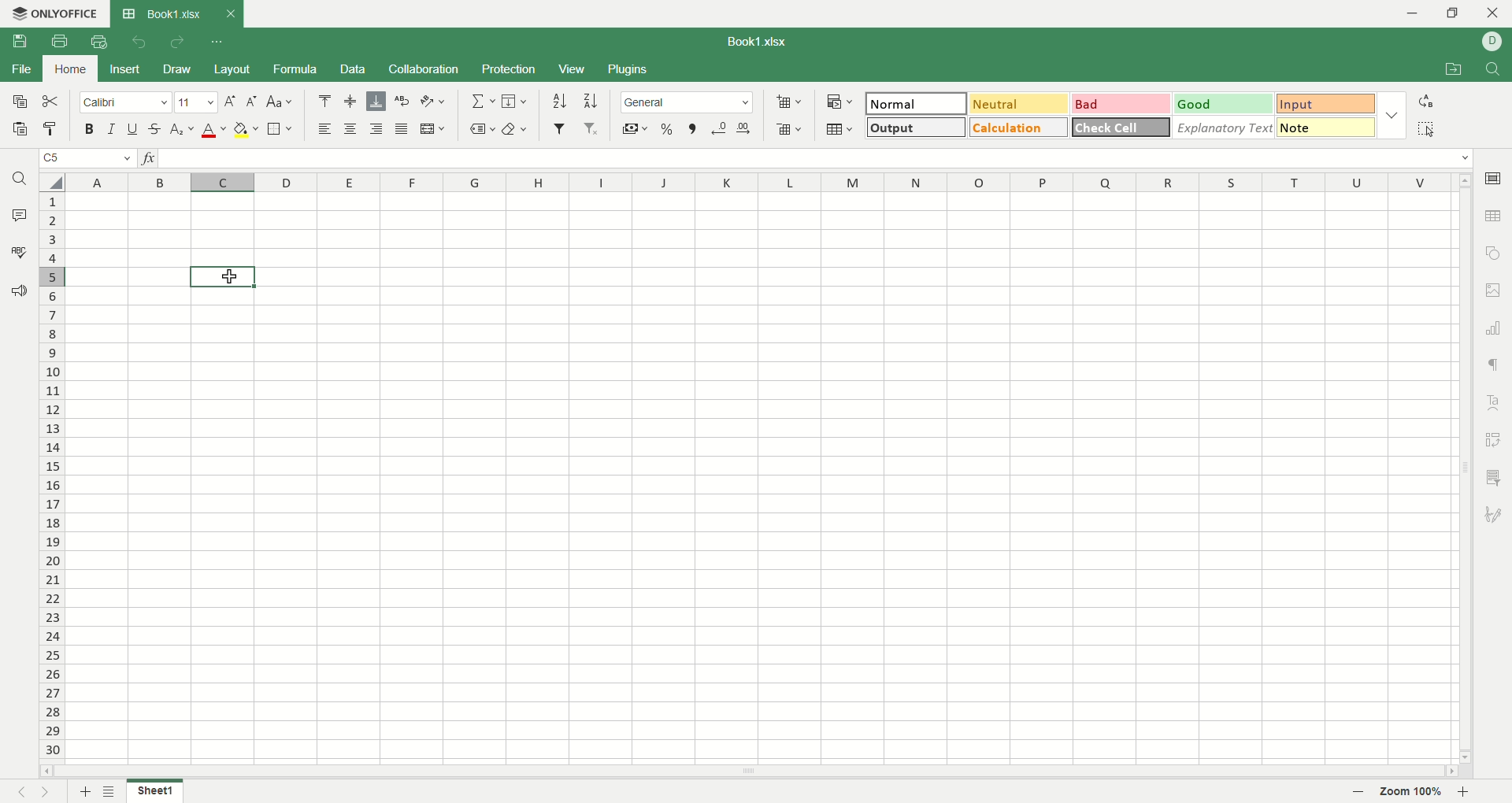  Describe the element at coordinates (765, 43) in the screenshot. I see `title` at that location.